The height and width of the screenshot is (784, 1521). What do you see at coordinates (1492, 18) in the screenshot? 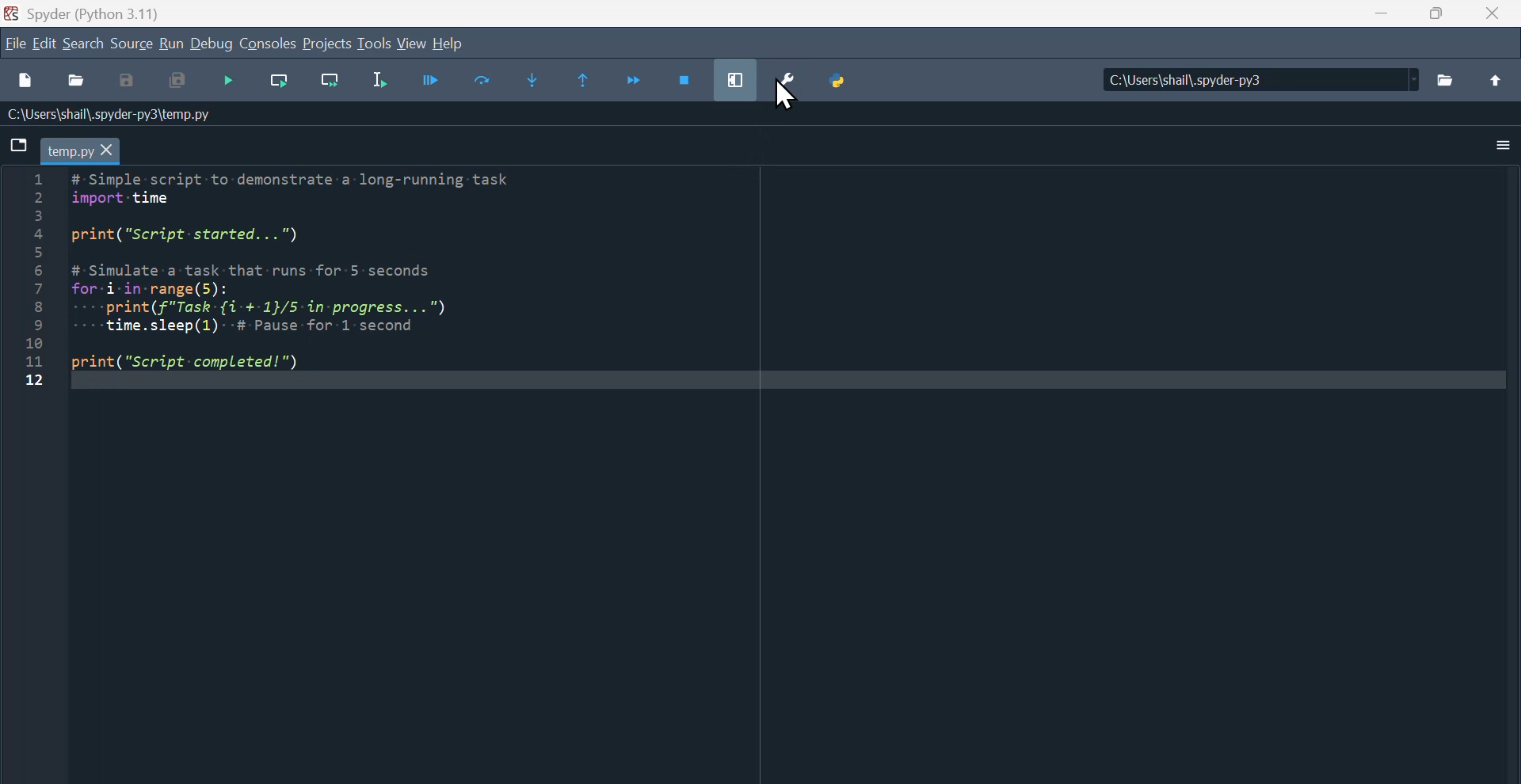
I see `close` at bounding box center [1492, 18].